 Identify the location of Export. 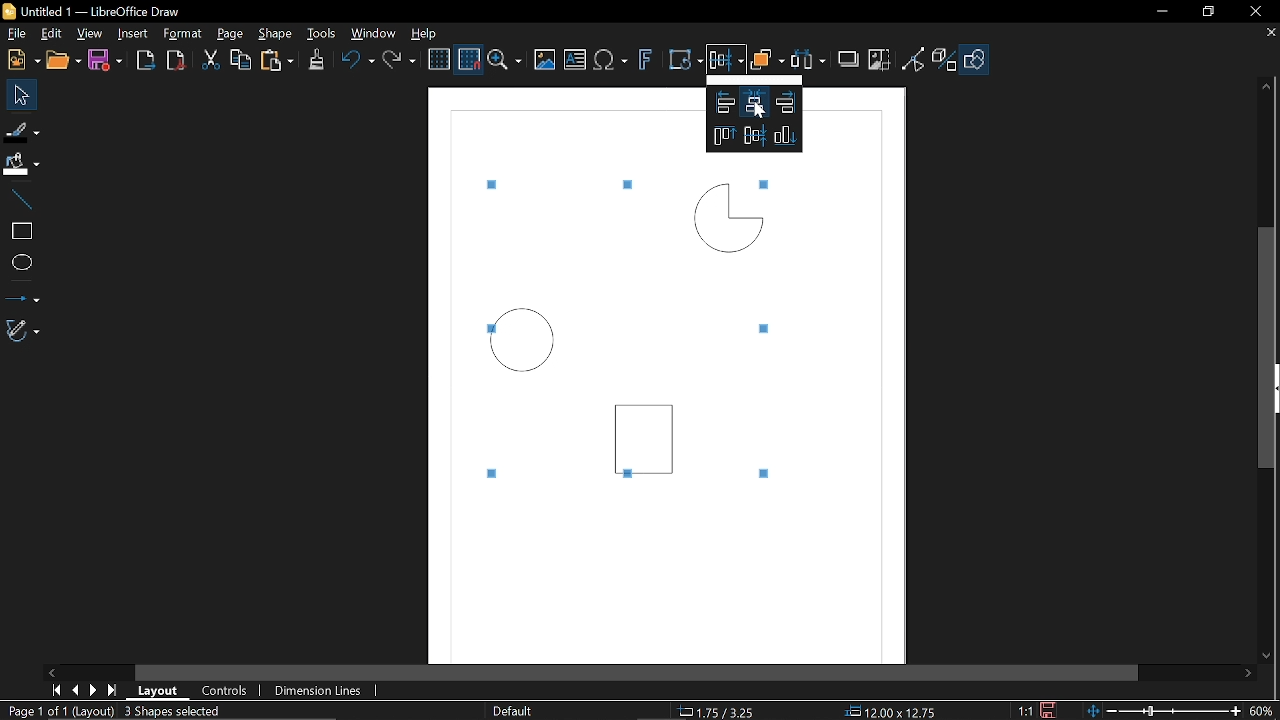
(146, 60).